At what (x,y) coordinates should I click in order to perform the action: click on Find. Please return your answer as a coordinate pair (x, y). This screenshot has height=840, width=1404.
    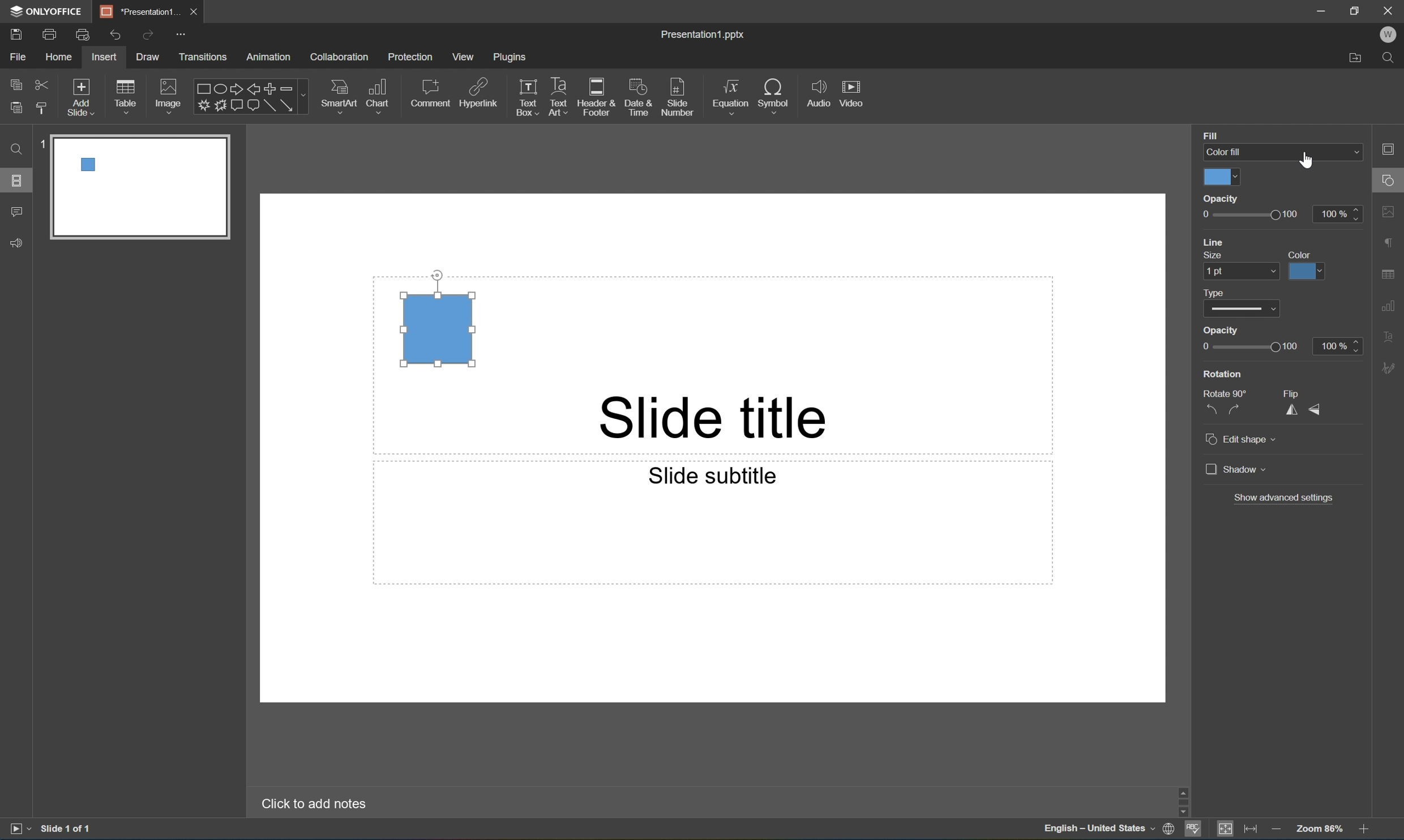
    Looking at the image, I should click on (1391, 59).